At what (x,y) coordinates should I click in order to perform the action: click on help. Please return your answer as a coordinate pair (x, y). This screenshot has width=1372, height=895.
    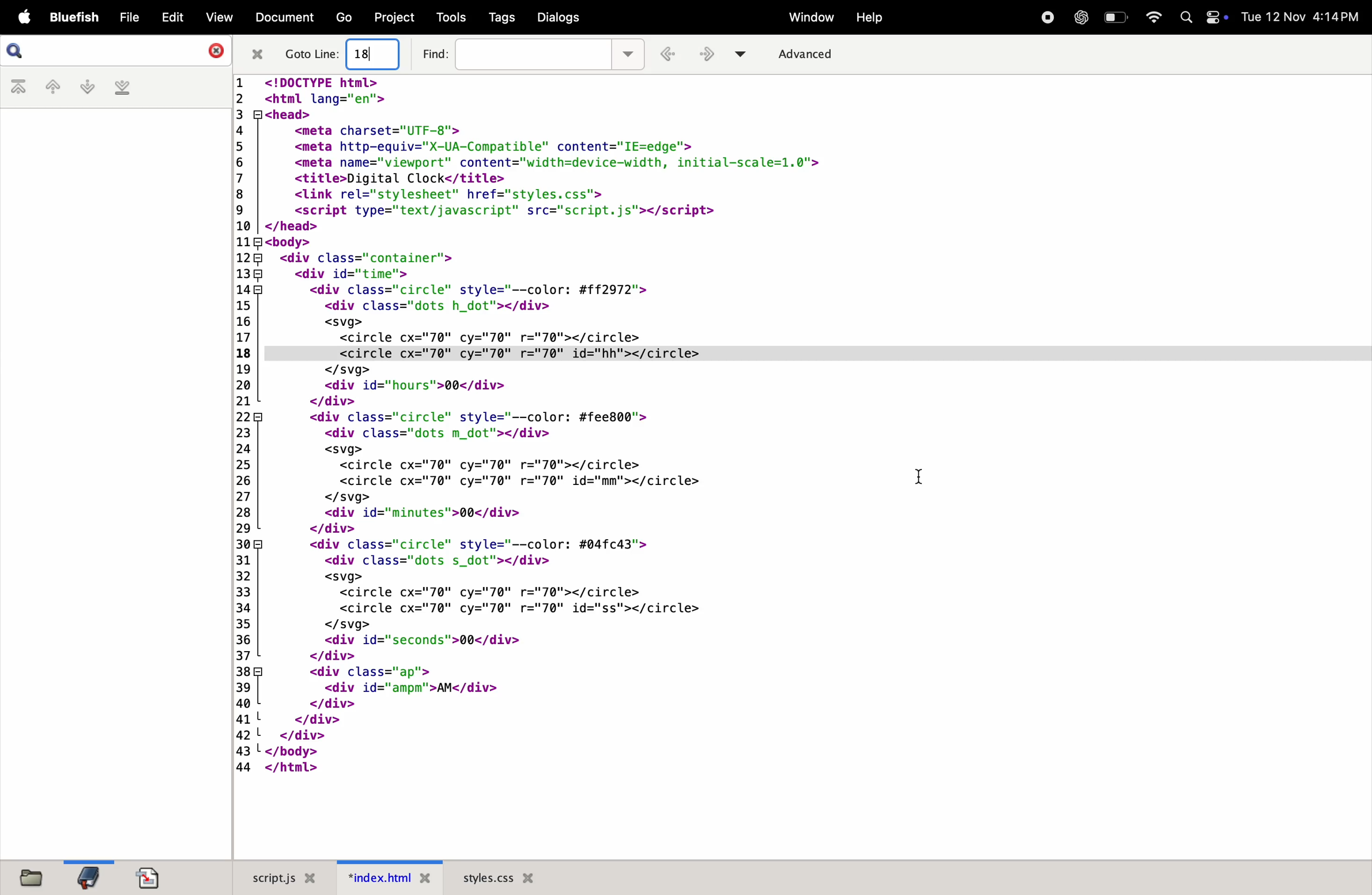
    Looking at the image, I should click on (868, 19).